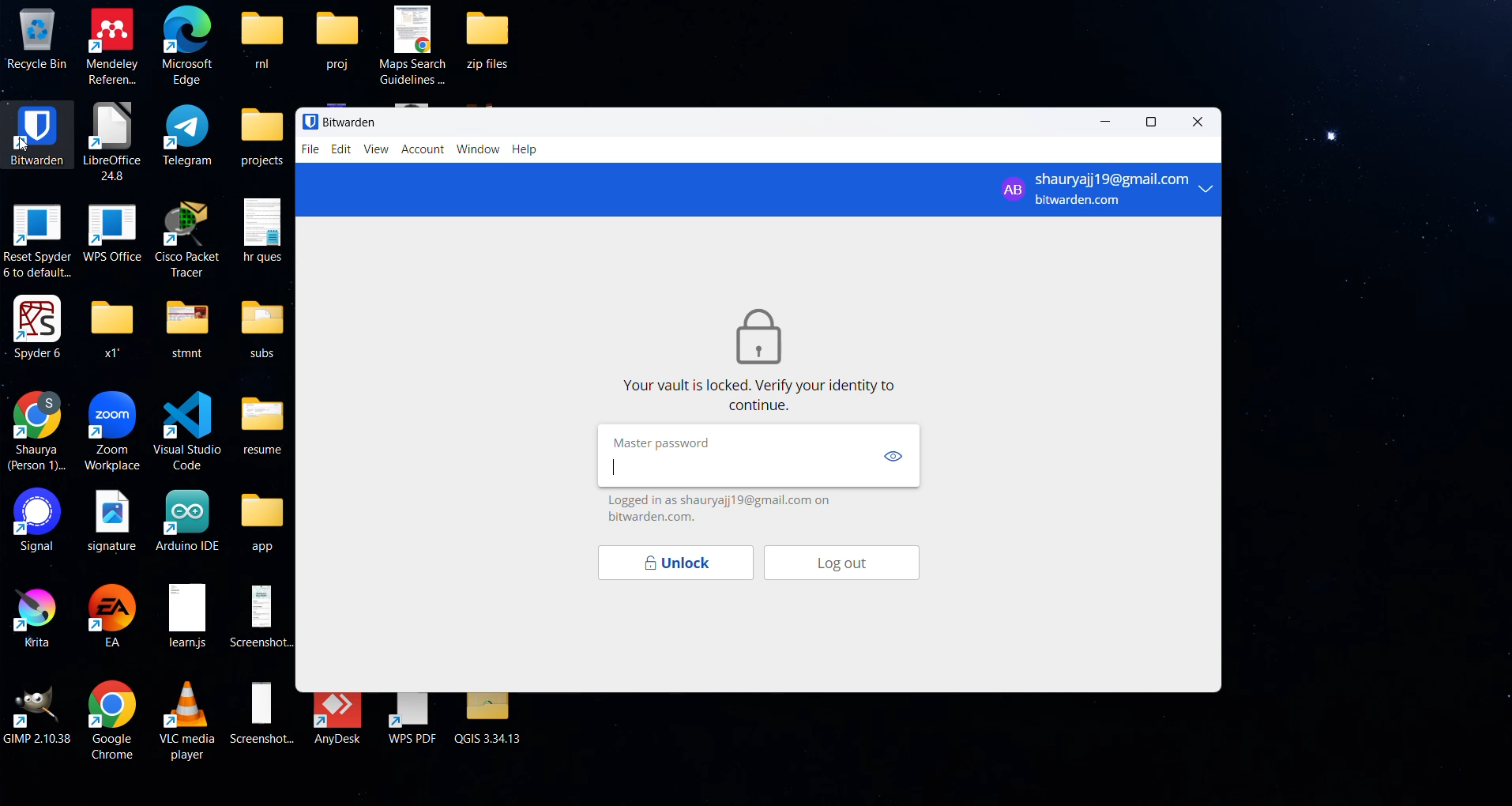  Describe the element at coordinates (479, 150) in the screenshot. I see `window` at that location.